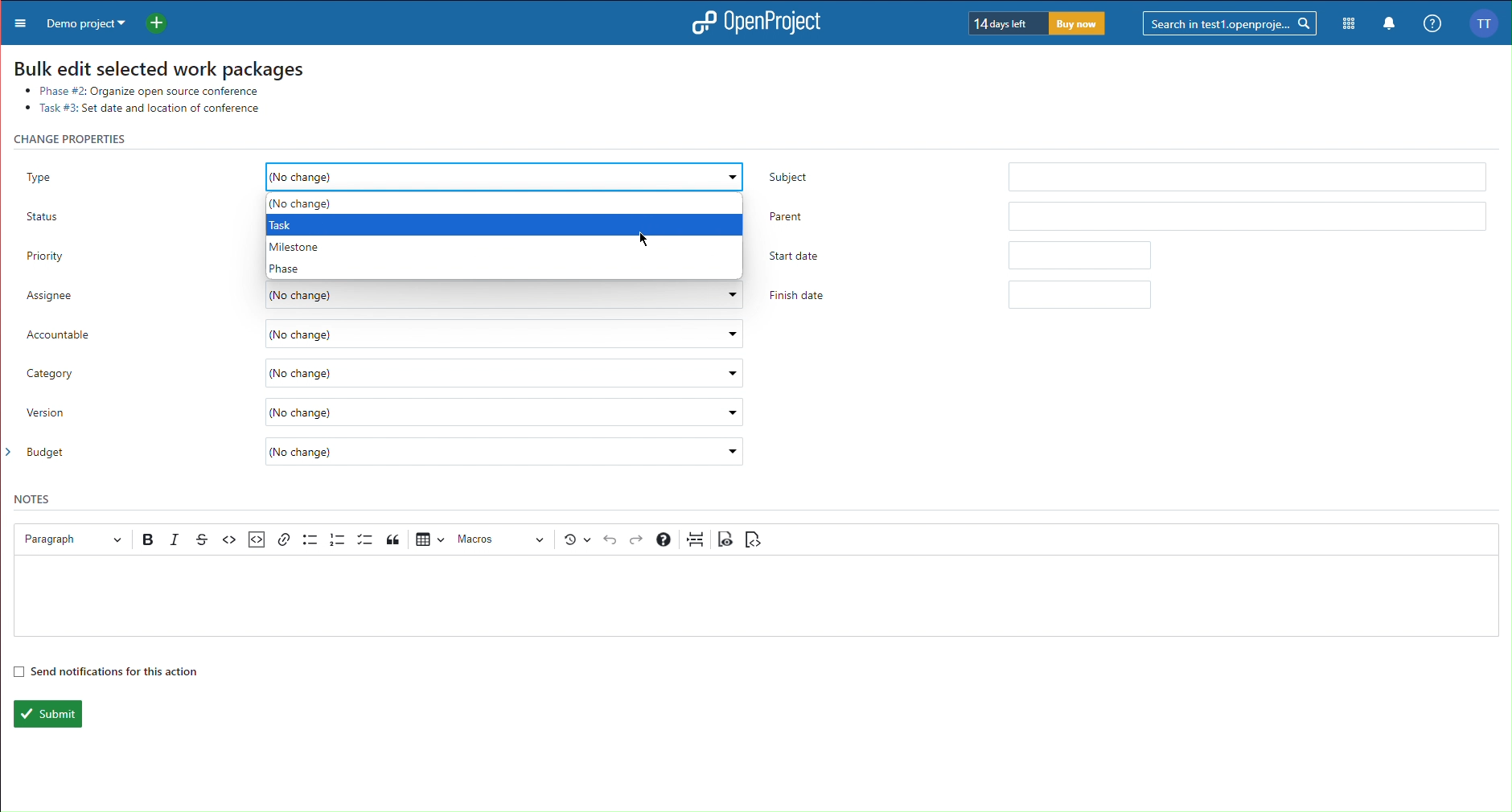  I want to click on Numbered List, so click(338, 539).